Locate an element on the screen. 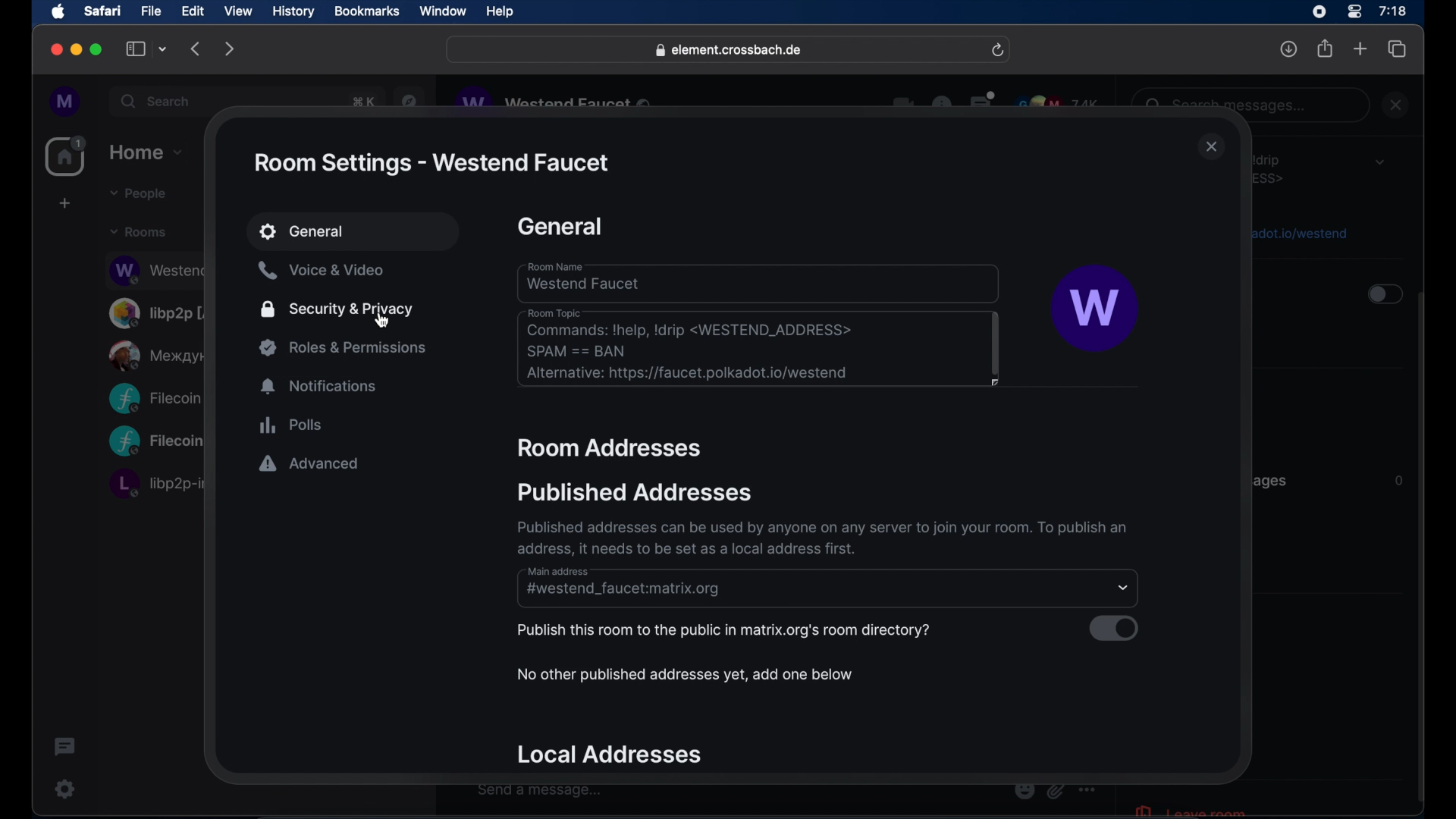 This screenshot has width=1456, height=819. time is located at coordinates (1392, 11).